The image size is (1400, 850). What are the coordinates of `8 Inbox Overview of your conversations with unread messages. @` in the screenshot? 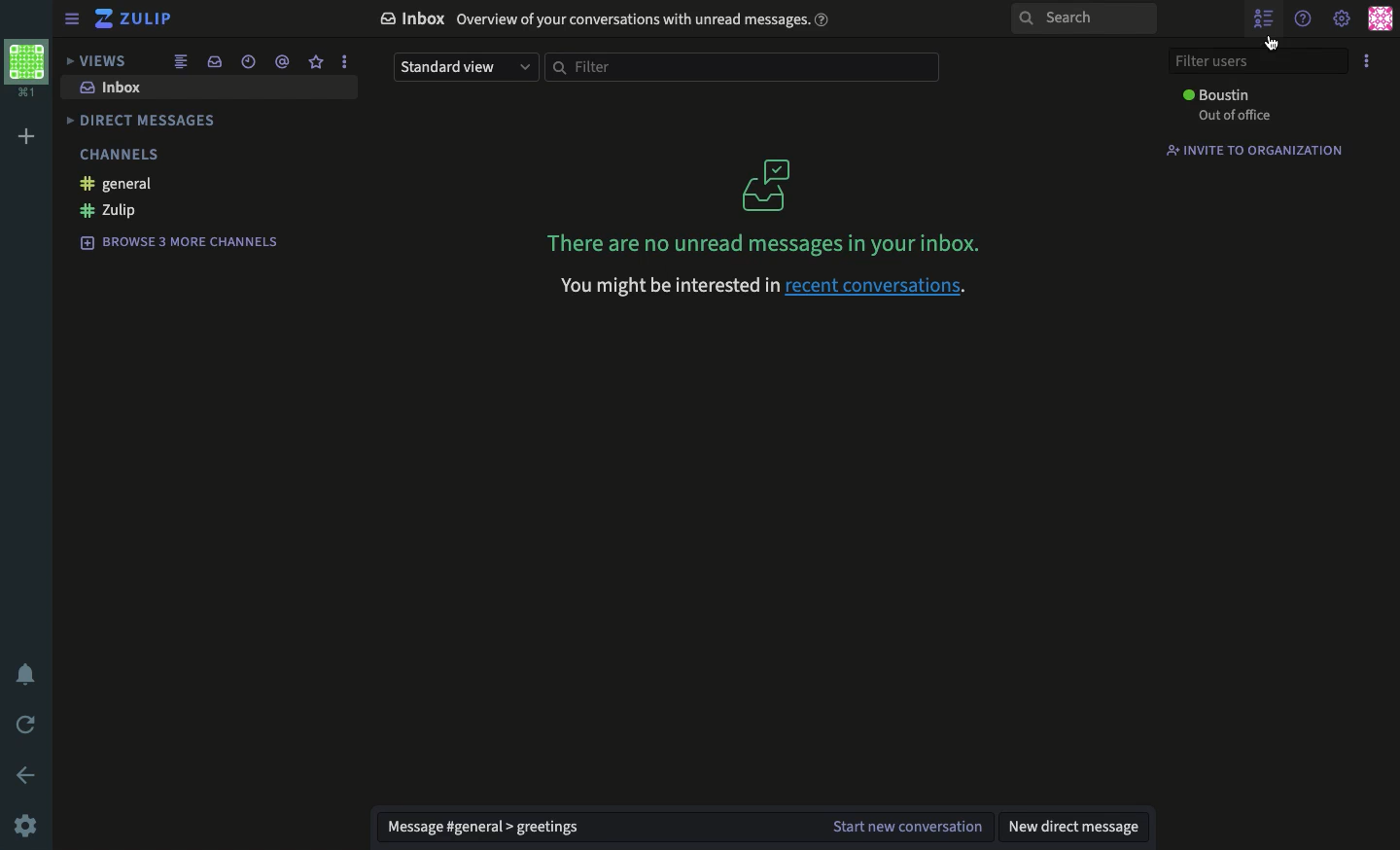 It's located at (604, 19).